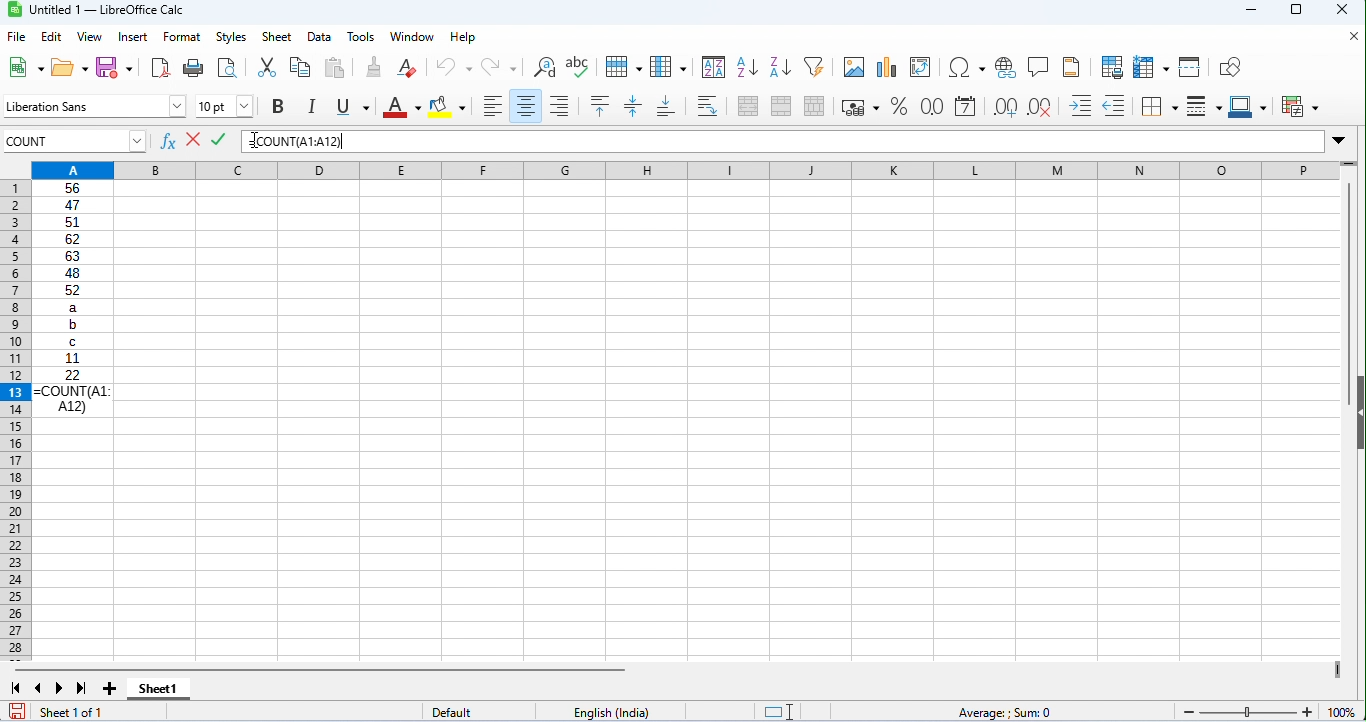 The height and width of the screenshot is (722, 1366). What do you see at coordinates (1039, 108) in the screenshot?
I see `delete decimal place` at bounding box center [1039, 108].